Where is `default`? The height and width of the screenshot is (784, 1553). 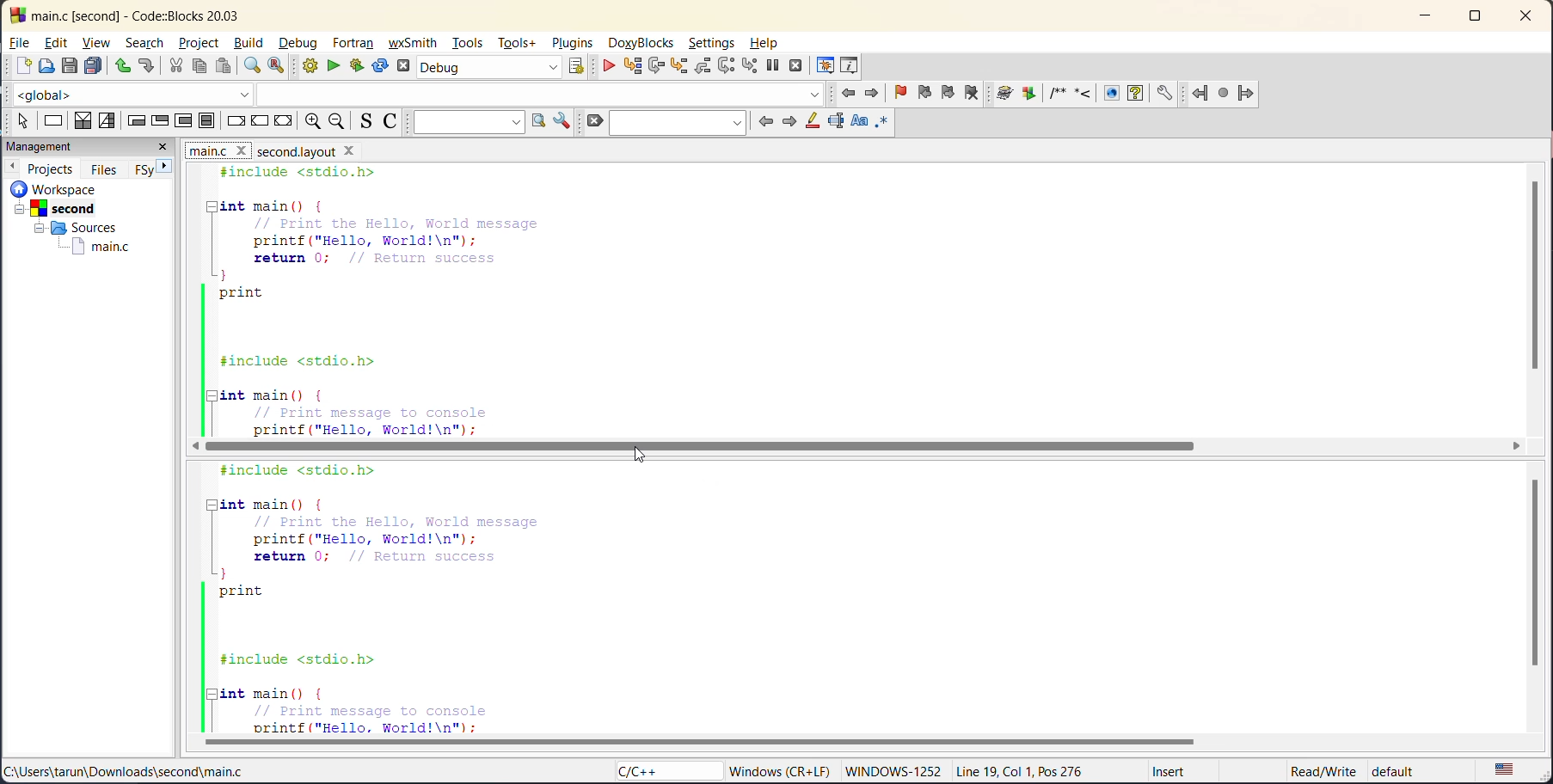
default is located at coordinates (1413, 768).